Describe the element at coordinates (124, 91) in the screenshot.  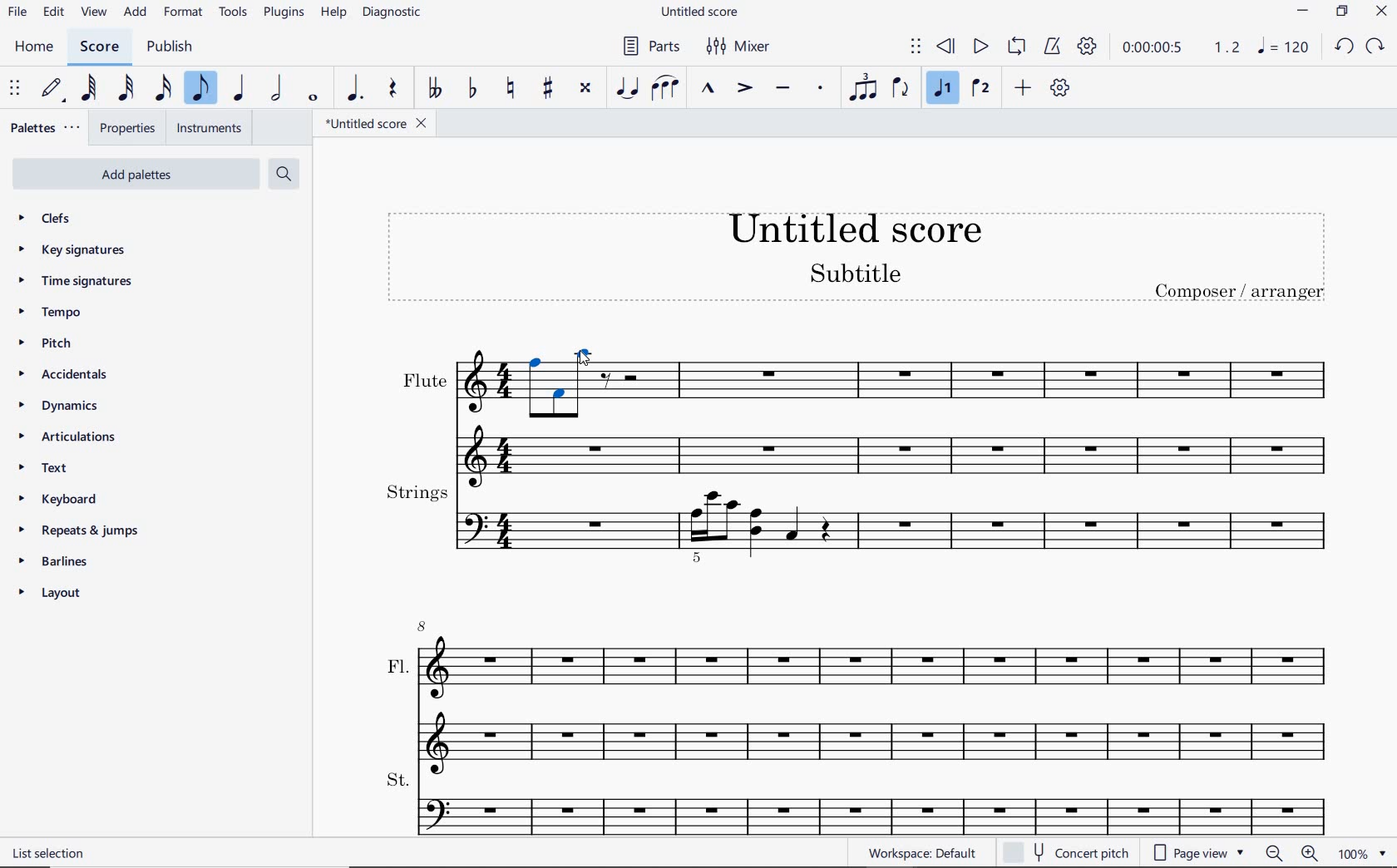
I see `32ND NOTE` at that location.